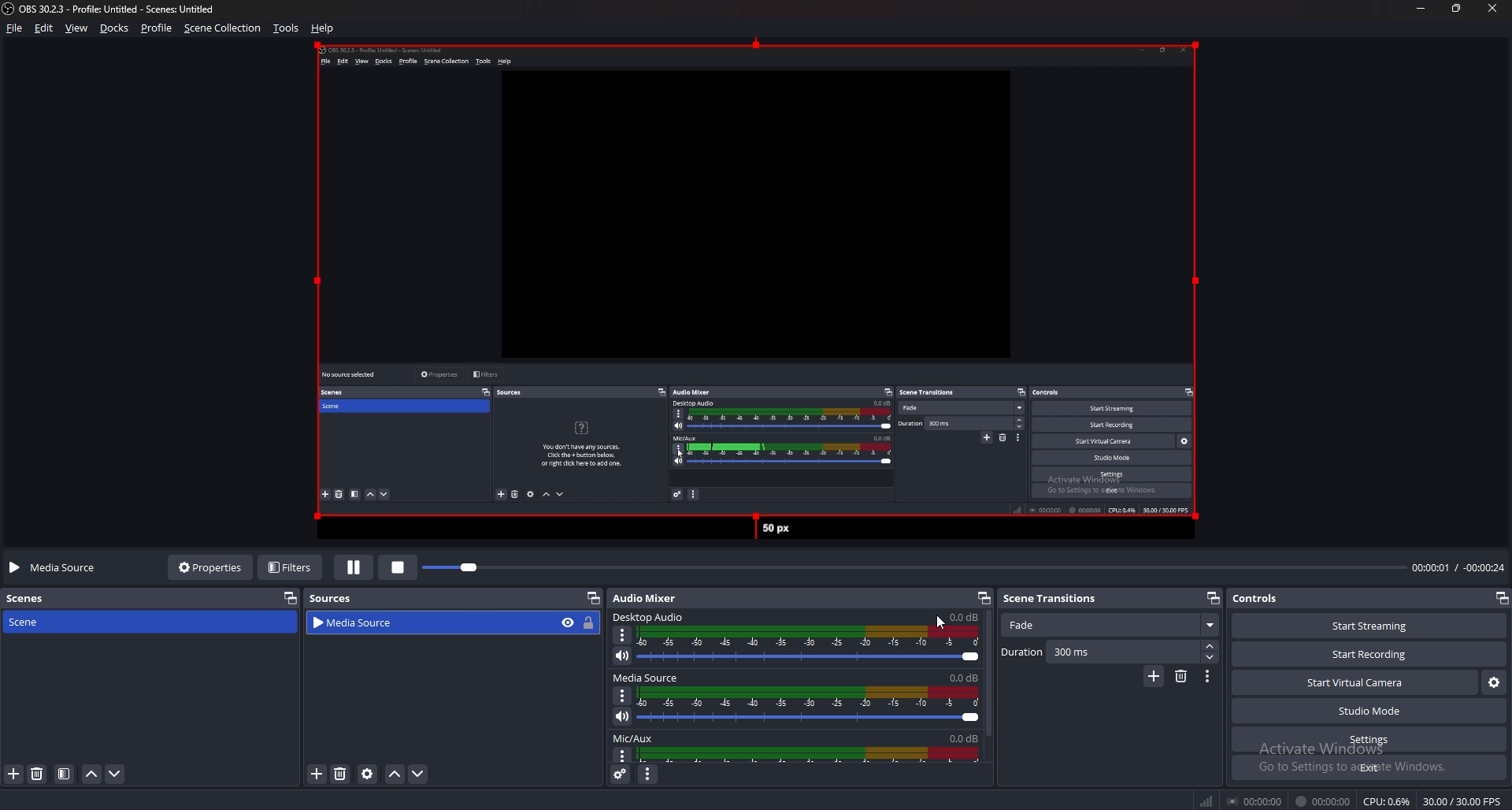 This screenshot has height=810, width=1512. What do you see at coordinates (1370, 711) in the screenshot?
I see `Studio mode` at bounding box center [1370, 711].